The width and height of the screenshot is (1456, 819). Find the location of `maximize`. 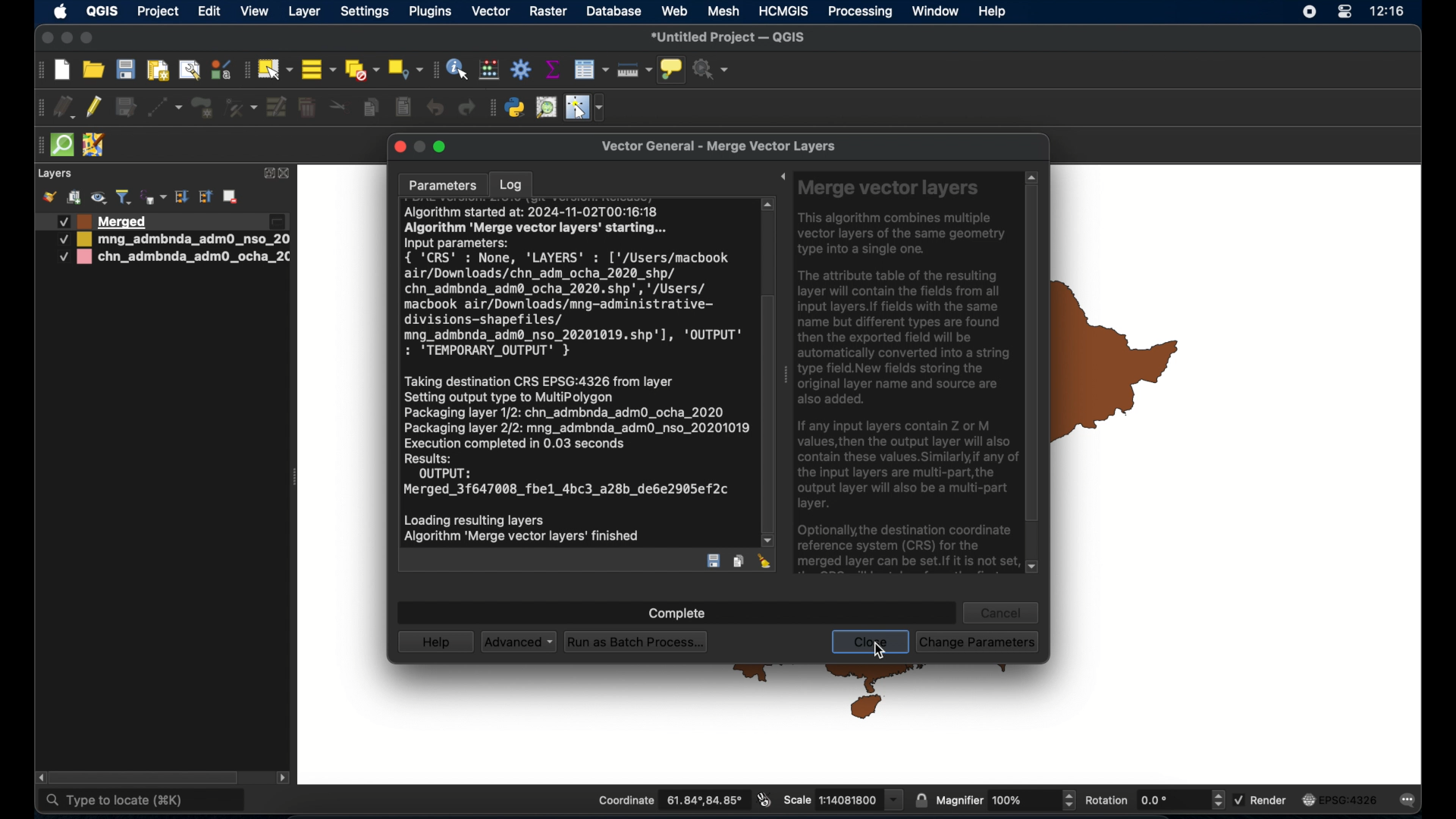

maximize is located at coordinates (443, 149).